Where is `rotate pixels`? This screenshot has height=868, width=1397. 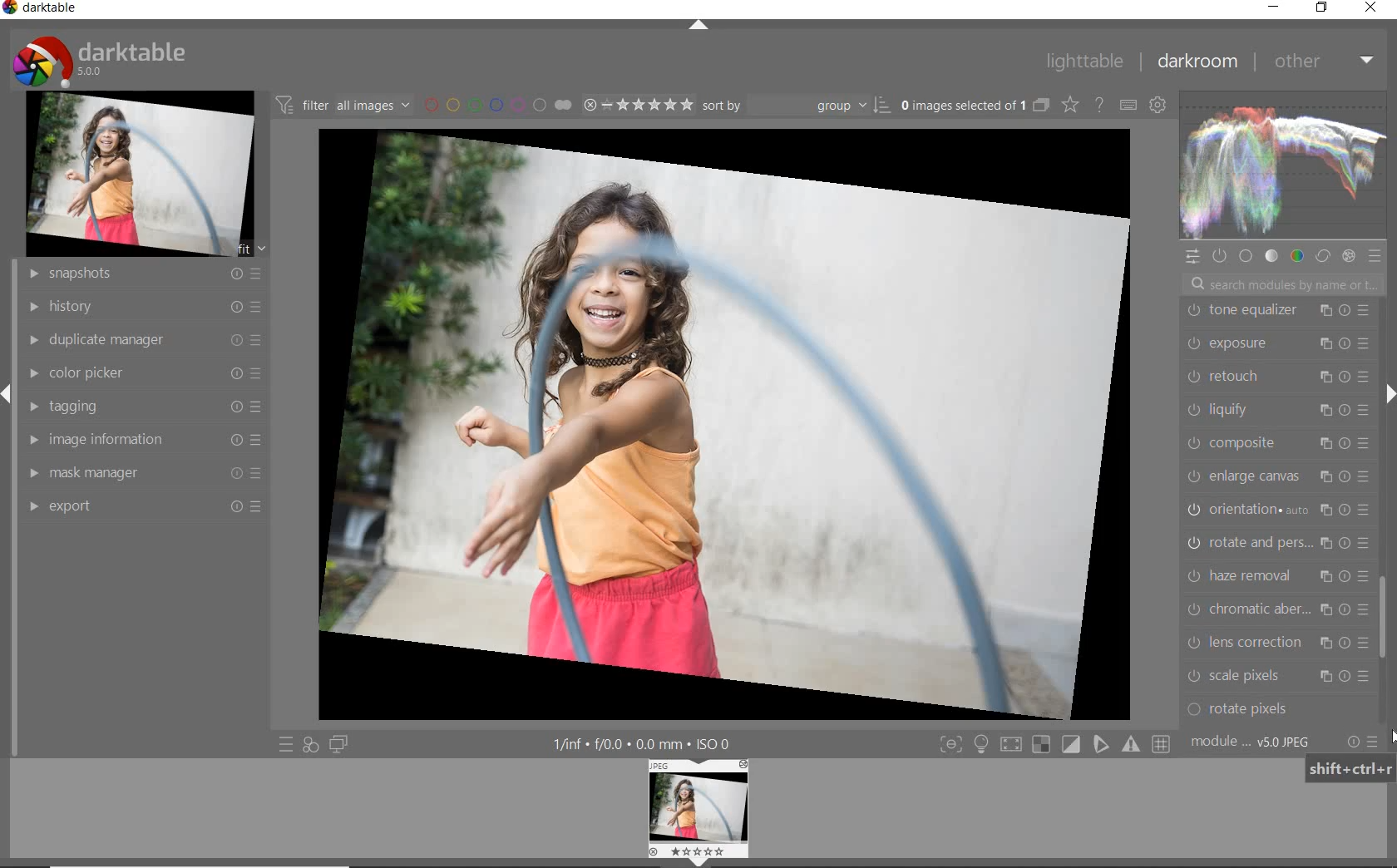
rotate pixels is located at coordinates (1269, 710).